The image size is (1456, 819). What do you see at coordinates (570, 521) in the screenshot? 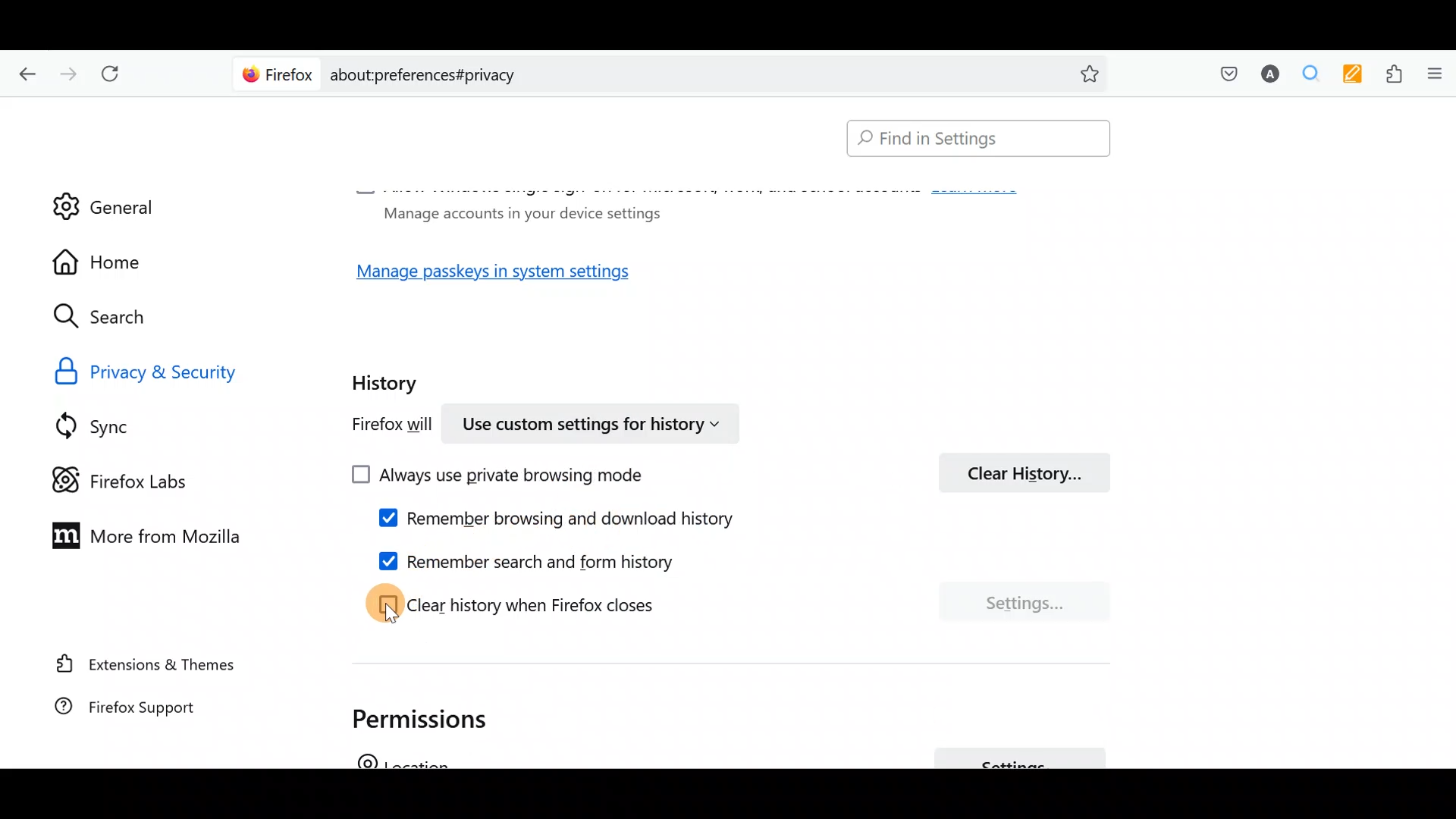
I see `Remember browsing and download history` at bounding box center [570, 521].